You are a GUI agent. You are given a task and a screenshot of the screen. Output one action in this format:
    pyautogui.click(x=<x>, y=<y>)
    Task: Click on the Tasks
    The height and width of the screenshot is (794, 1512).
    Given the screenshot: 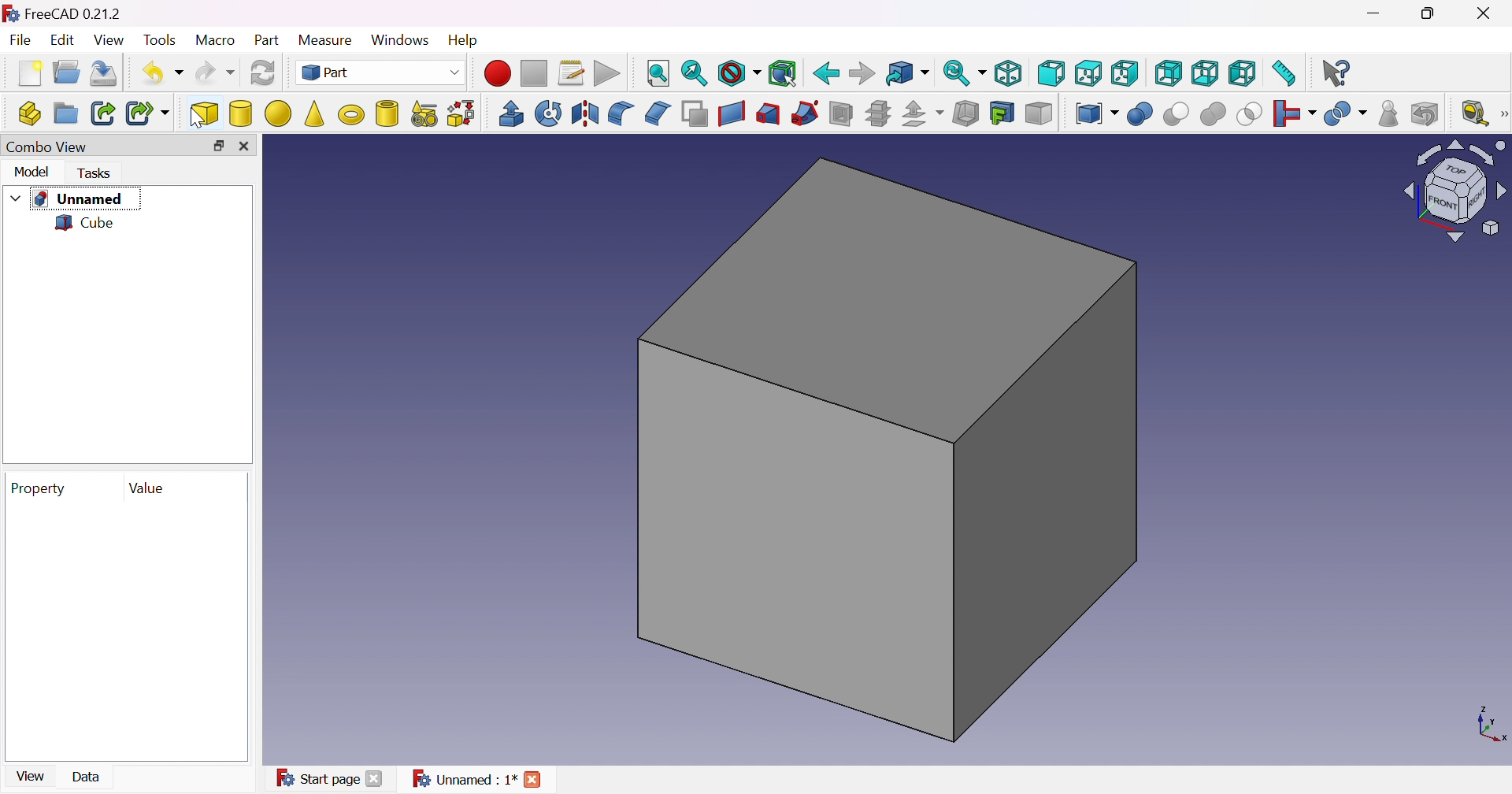 What is the action you would take?
    pyautogui.click(x=97, y=173)
    